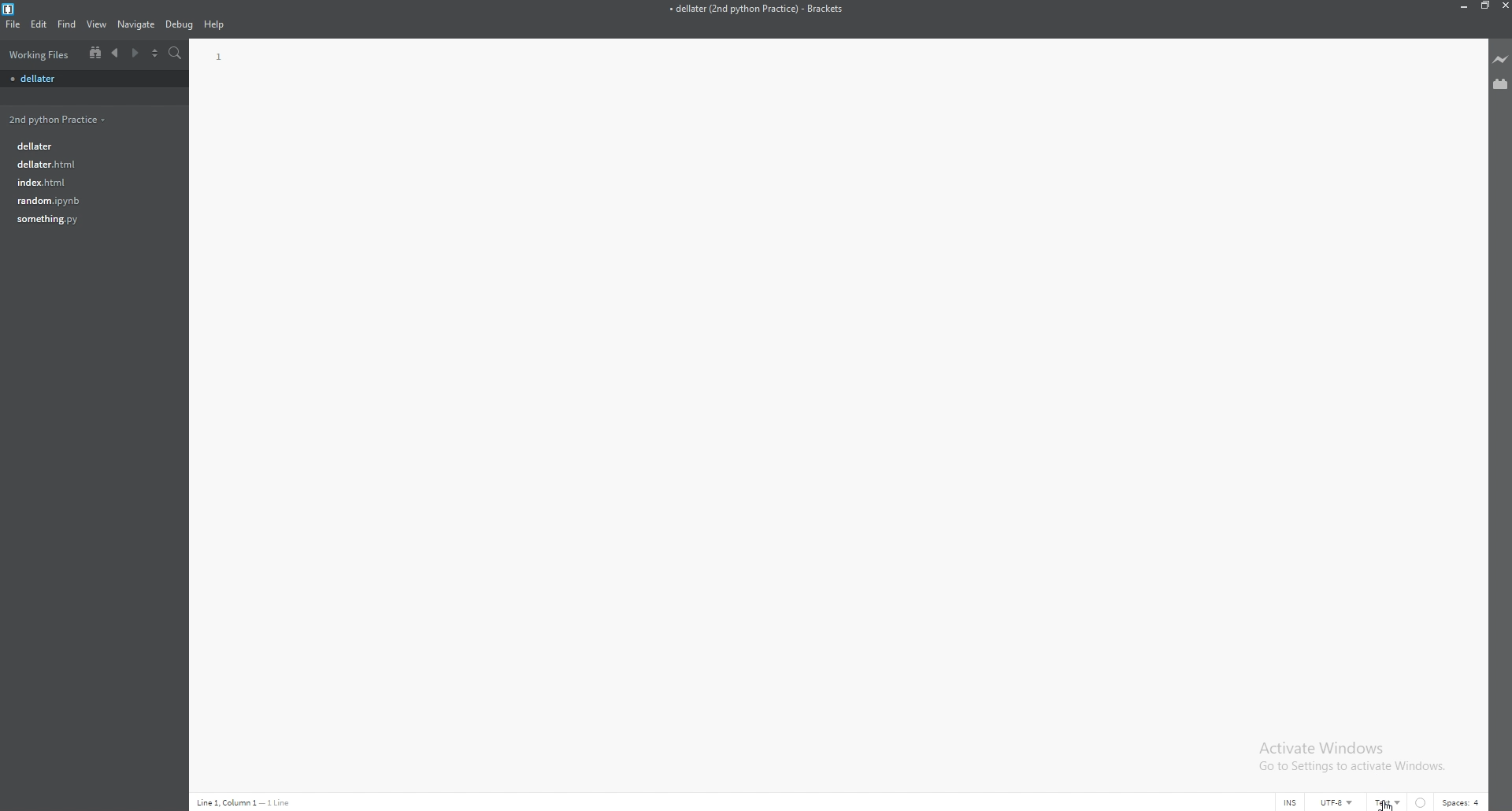 The height and width of the screenshot is (811, 1512). I want to click on extension manager, so click(1499, 83).